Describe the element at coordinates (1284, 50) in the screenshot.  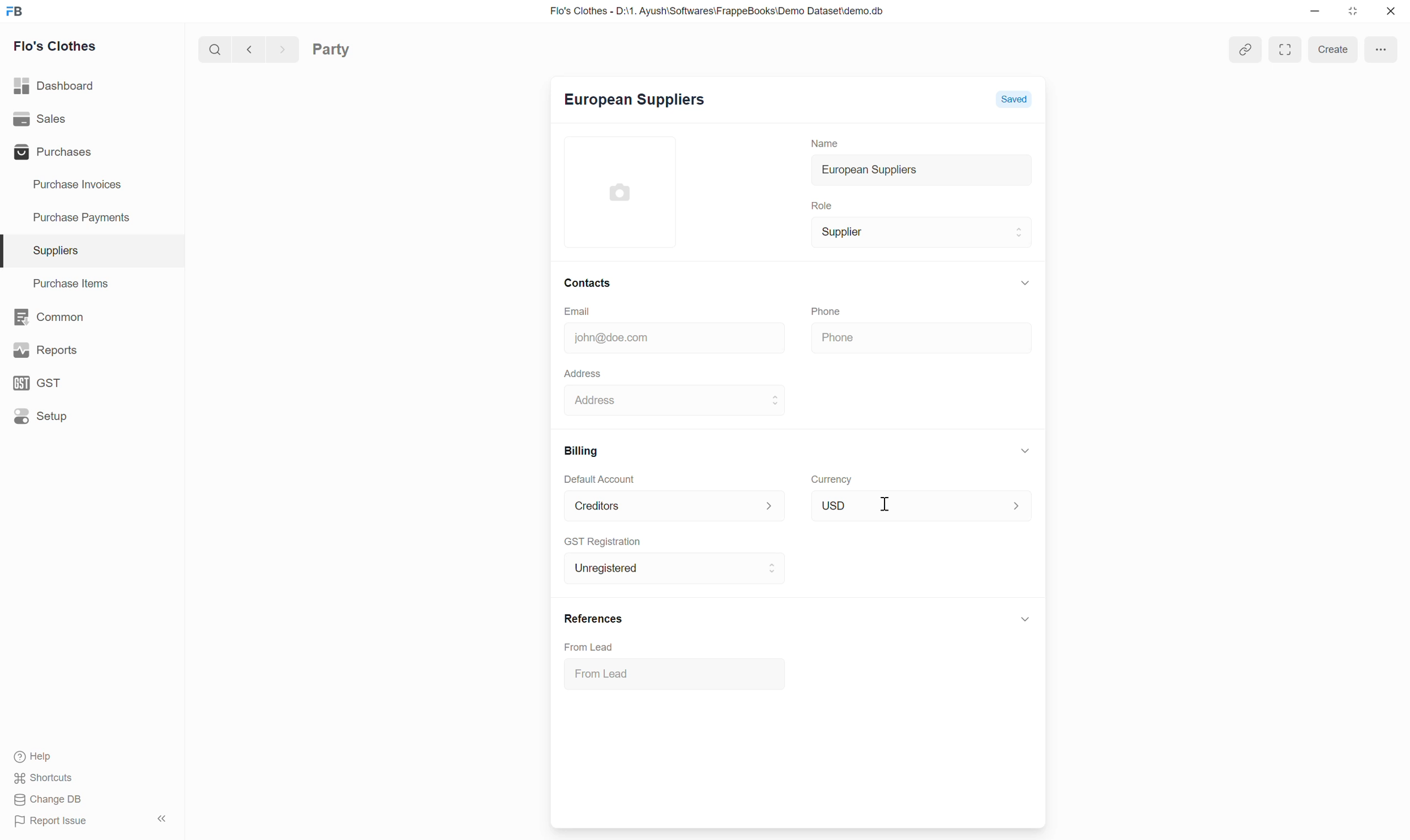
I see `Expand` at that location.